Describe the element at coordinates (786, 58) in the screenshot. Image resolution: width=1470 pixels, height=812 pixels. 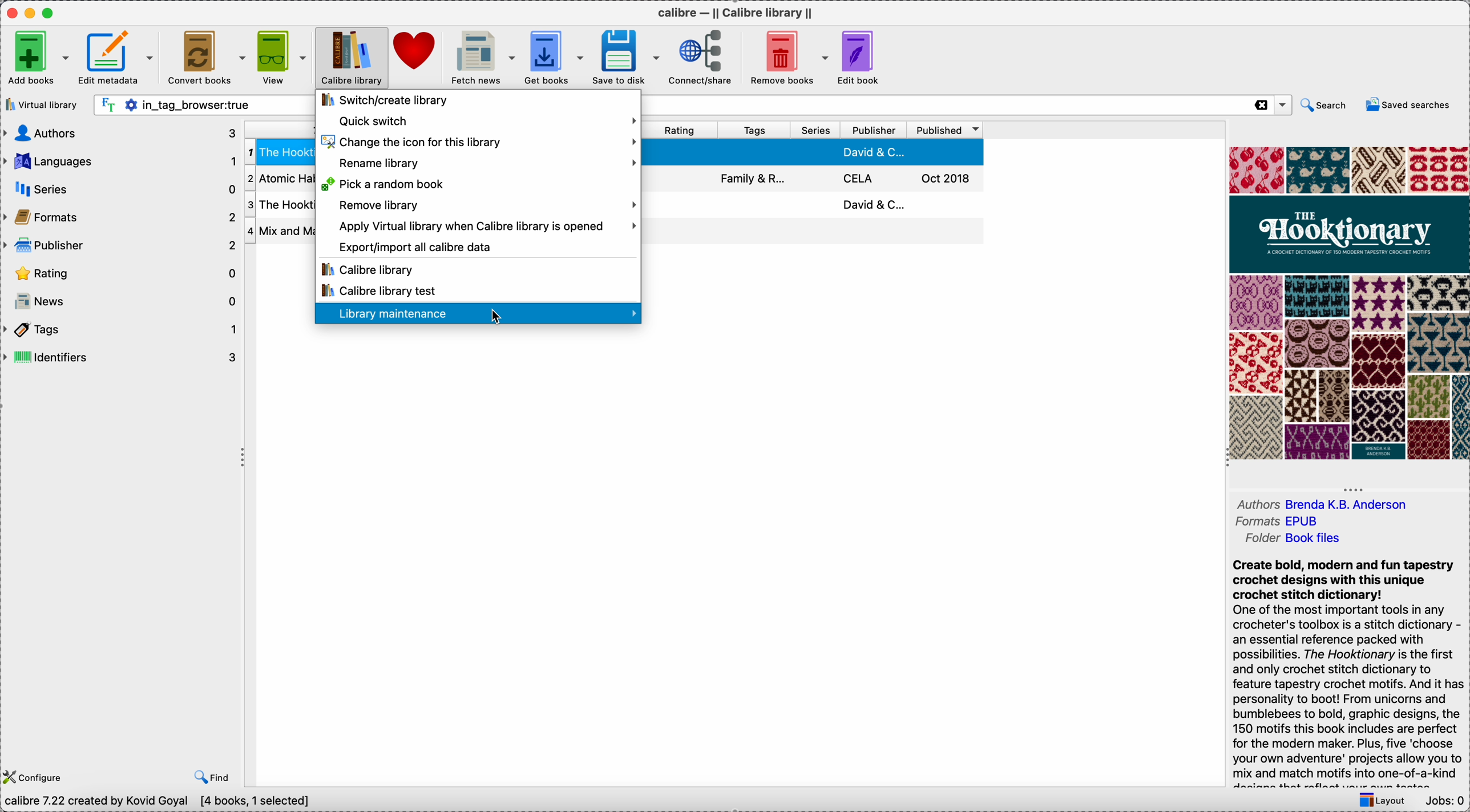
I see `remove books` at that location.